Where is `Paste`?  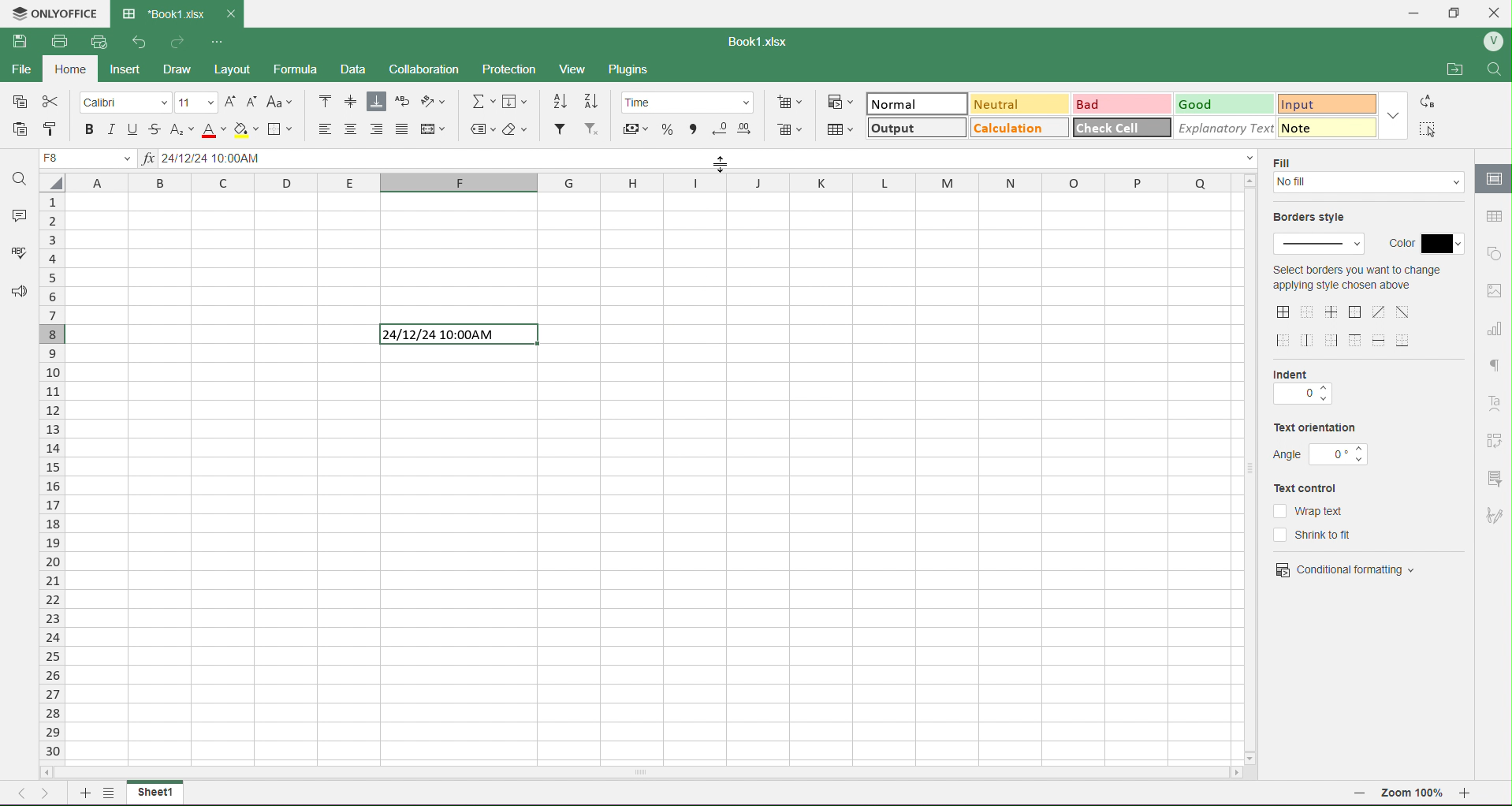 Paste is located at coordinates (20, 129).